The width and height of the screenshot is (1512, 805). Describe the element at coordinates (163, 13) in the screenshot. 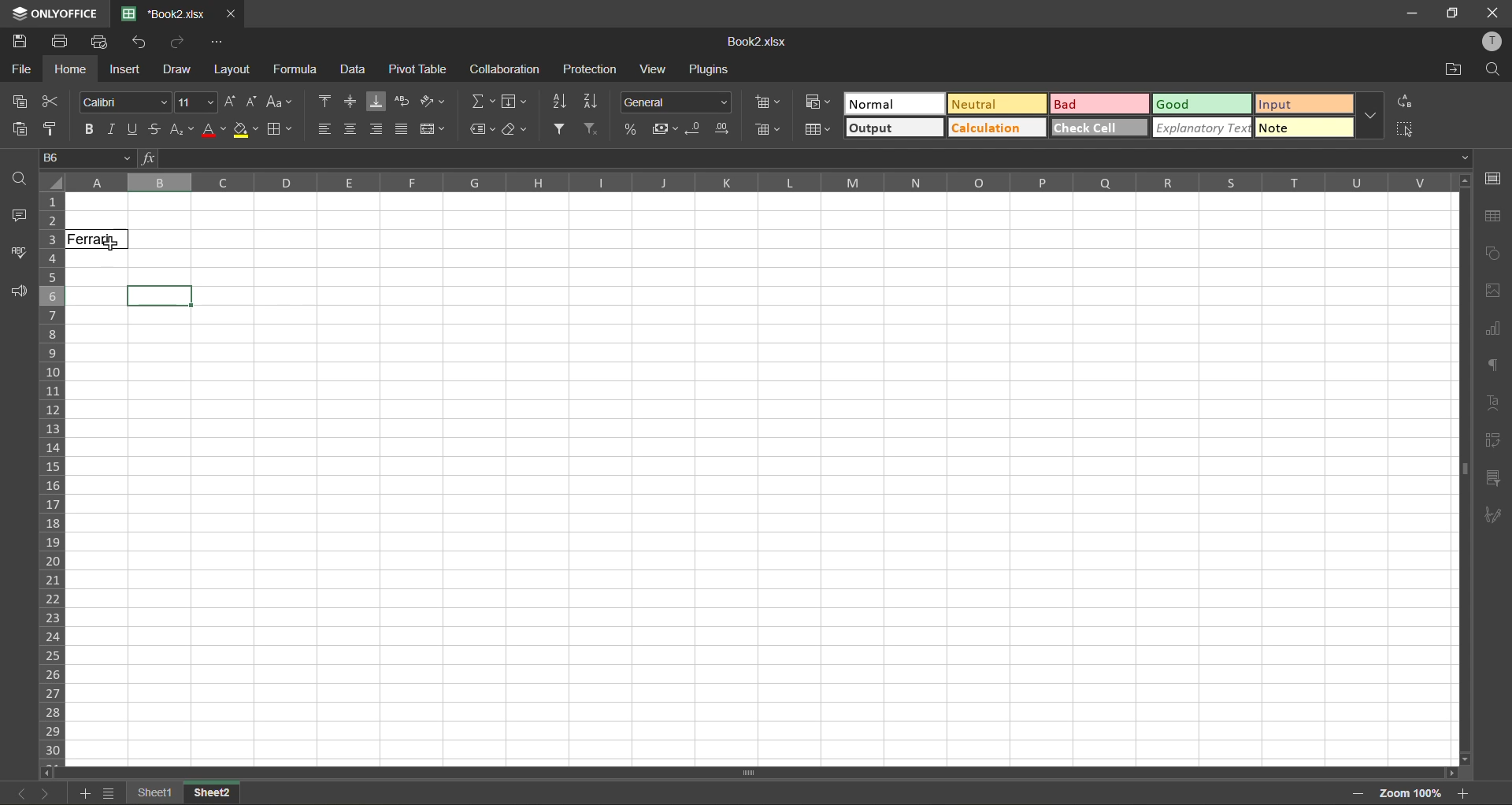

I see `file name` at that location.